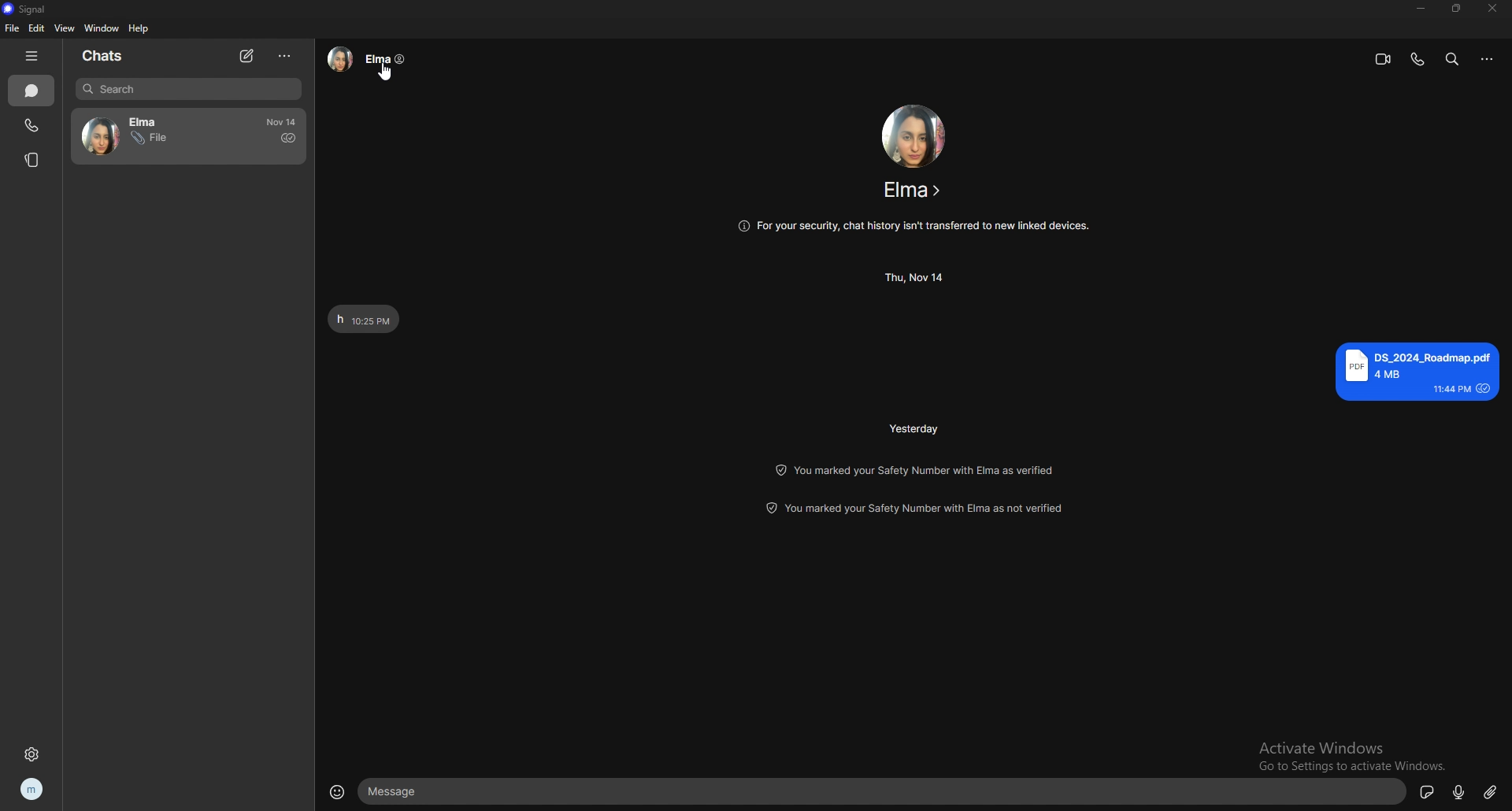 Image resolution: width=1512 pixels, height=811 pixels. What do you see at coordinates (188, 88) in the screenshot?
I see `search messages` at bounding box center [188, 88].